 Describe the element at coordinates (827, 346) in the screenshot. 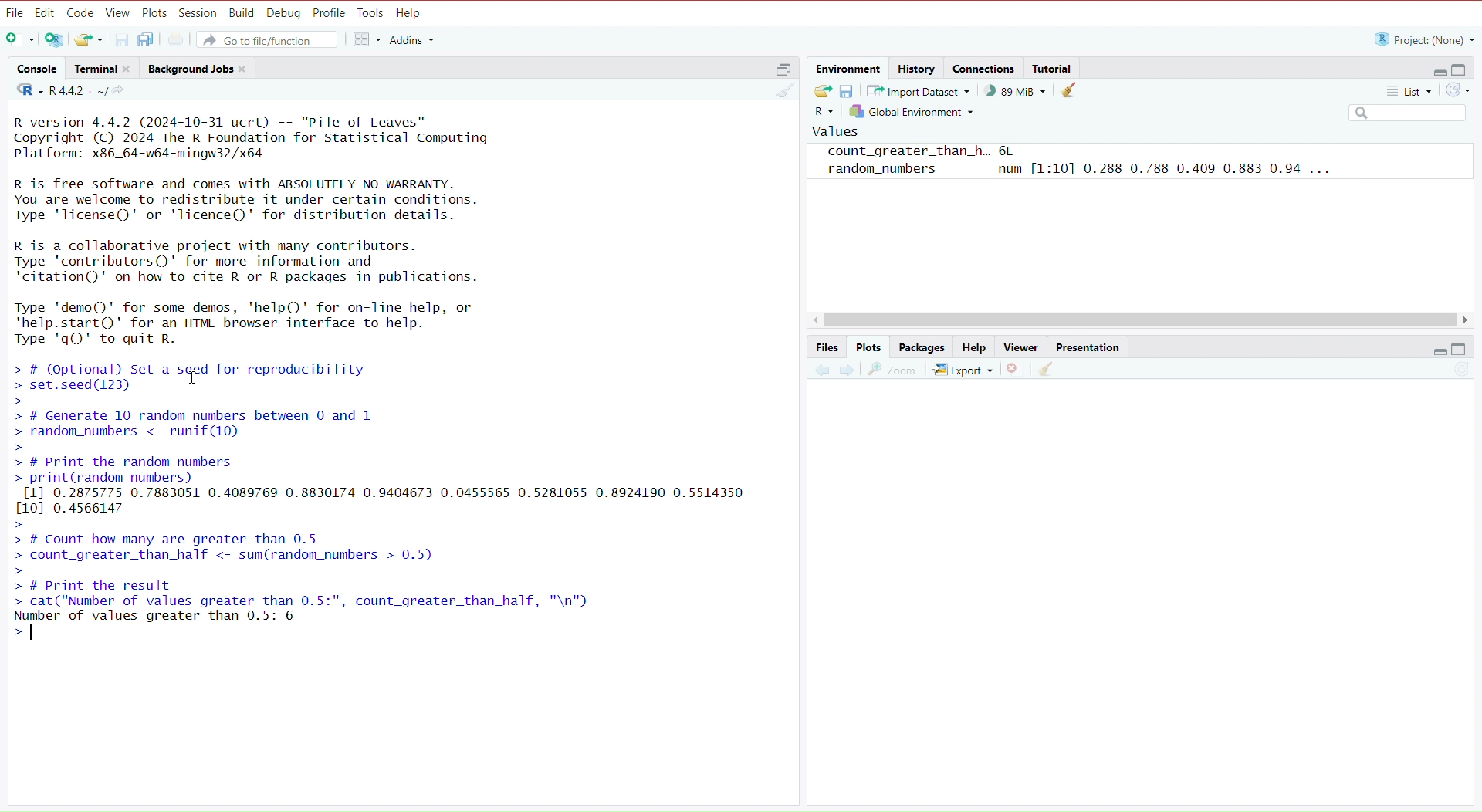

I see `Files` at that location.